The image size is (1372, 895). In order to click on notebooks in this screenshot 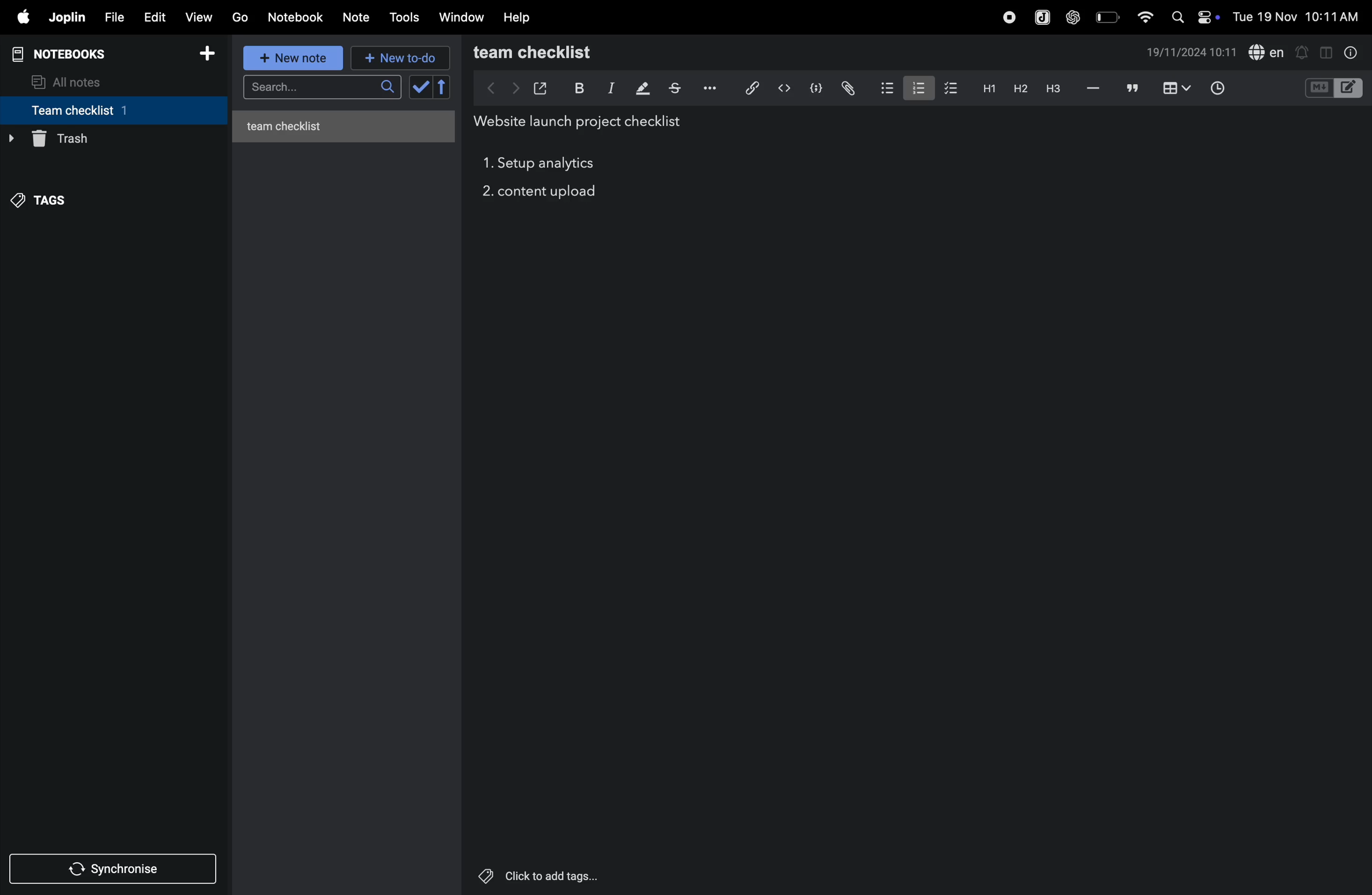, I will do `click(66, 52)`.